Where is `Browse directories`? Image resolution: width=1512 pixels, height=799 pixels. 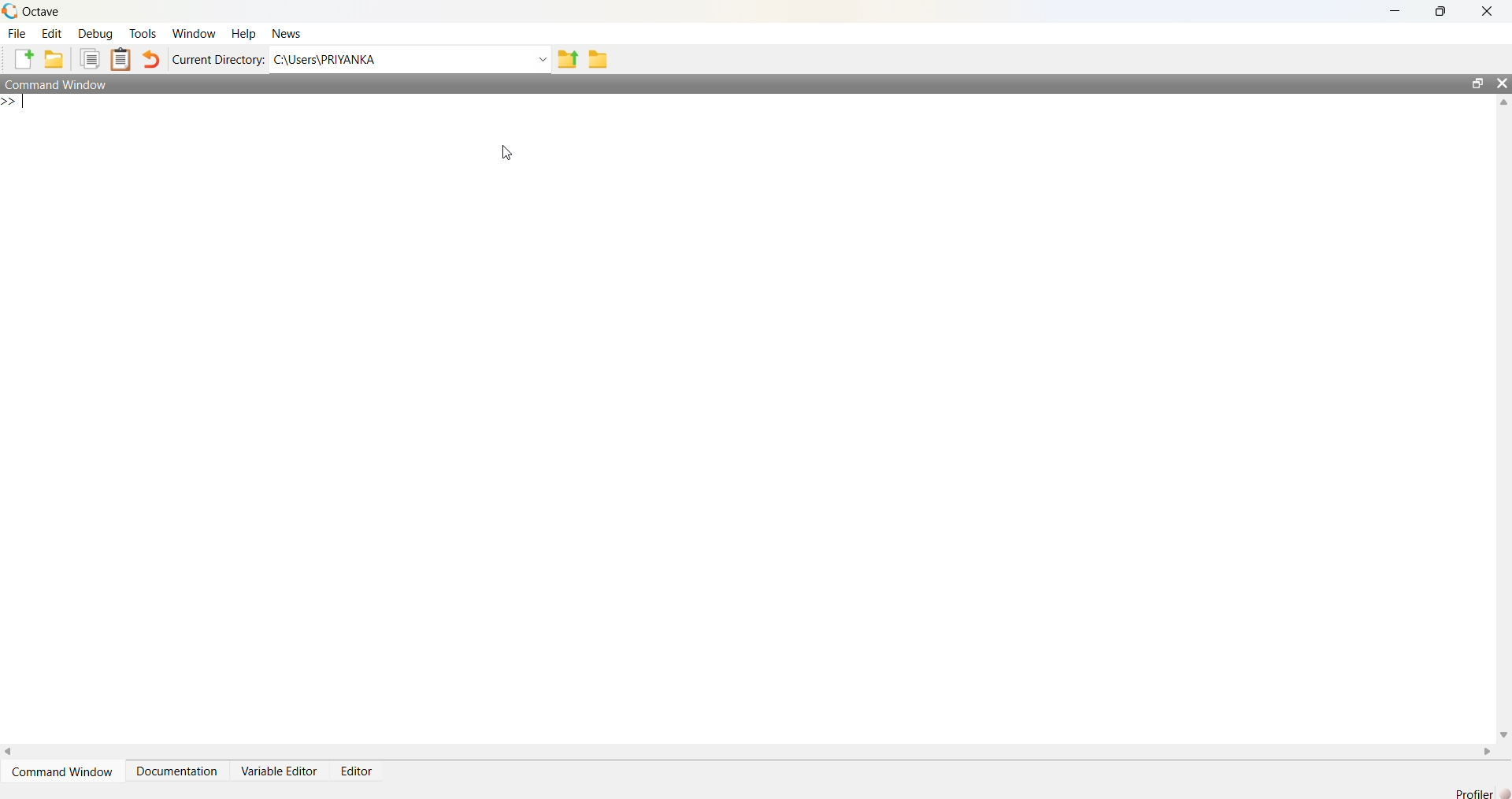
Browse directories is located at coordinates (603, 58).